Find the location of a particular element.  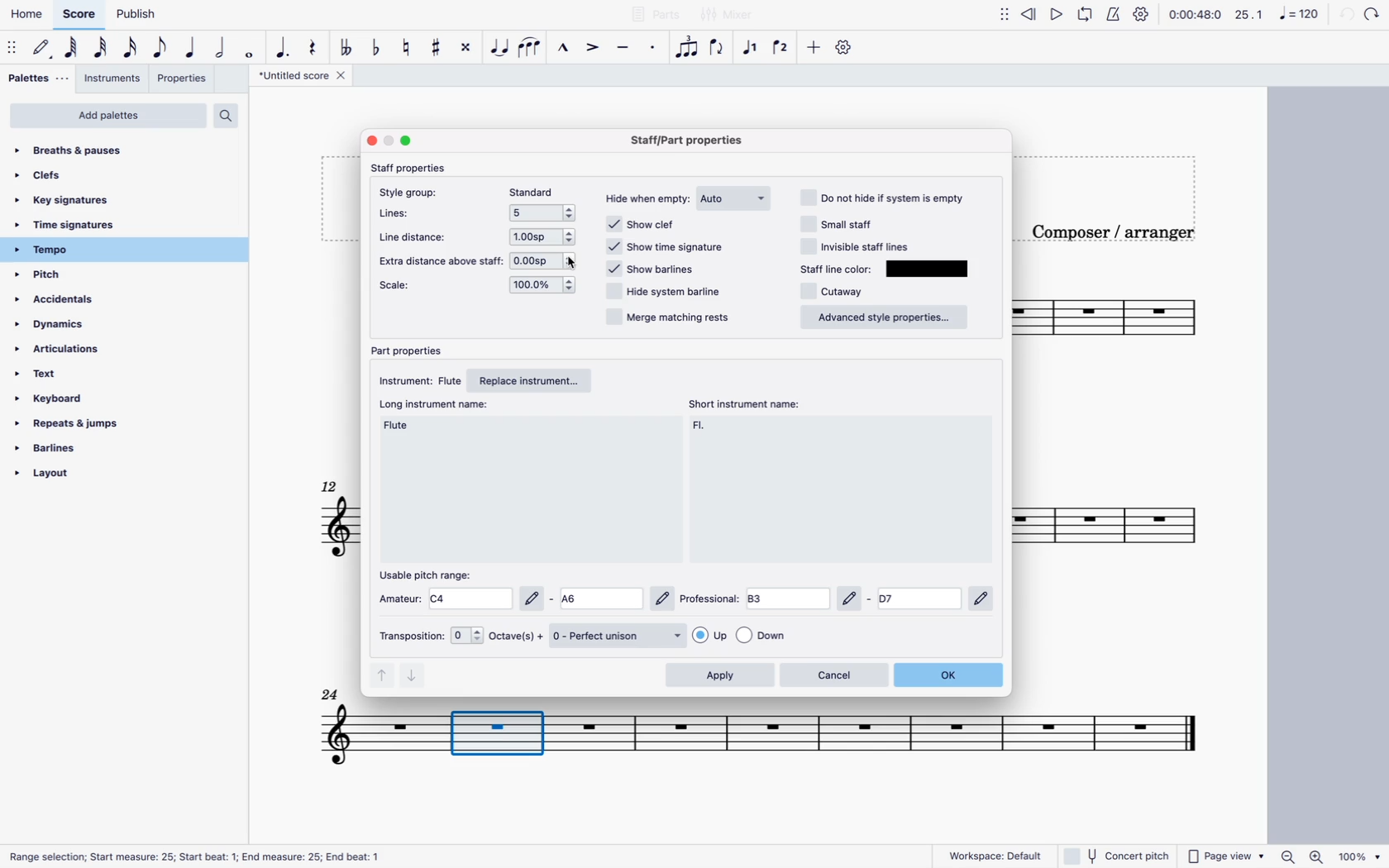

toggle sharp is located at coordinates (437, 47).